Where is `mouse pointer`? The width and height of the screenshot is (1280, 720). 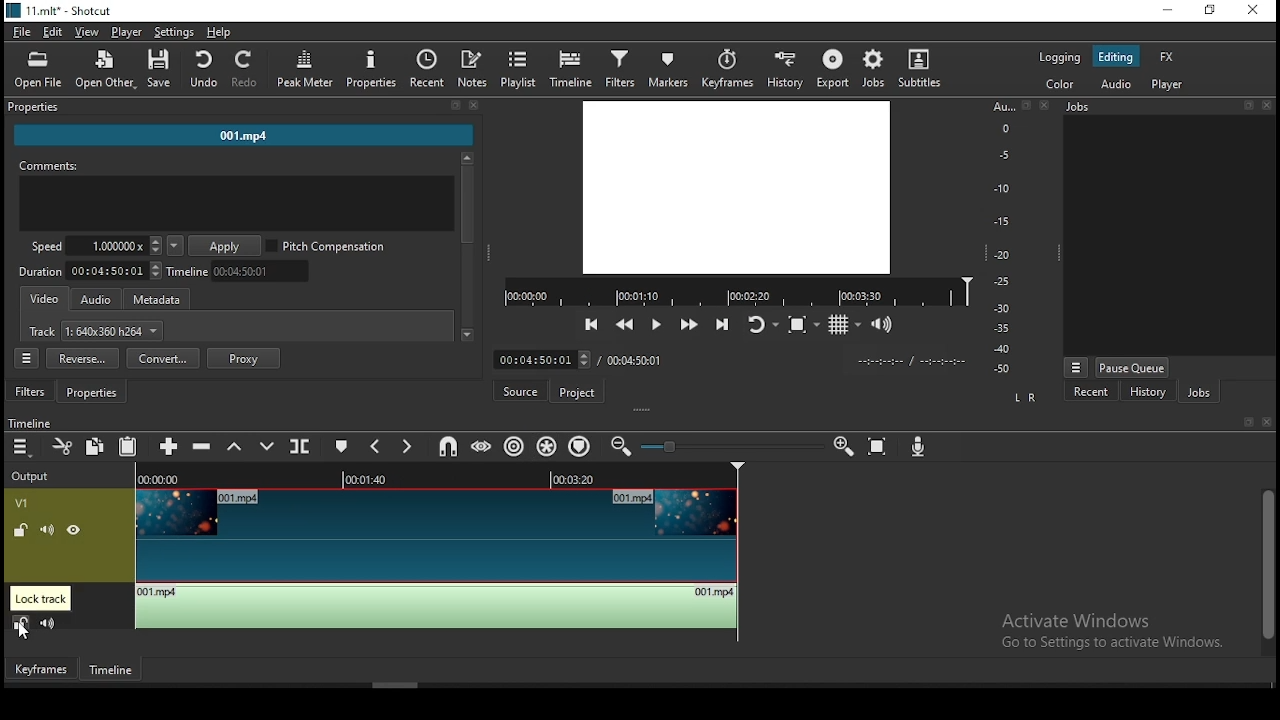
mouse pointer is located at coordinates (25, 632).